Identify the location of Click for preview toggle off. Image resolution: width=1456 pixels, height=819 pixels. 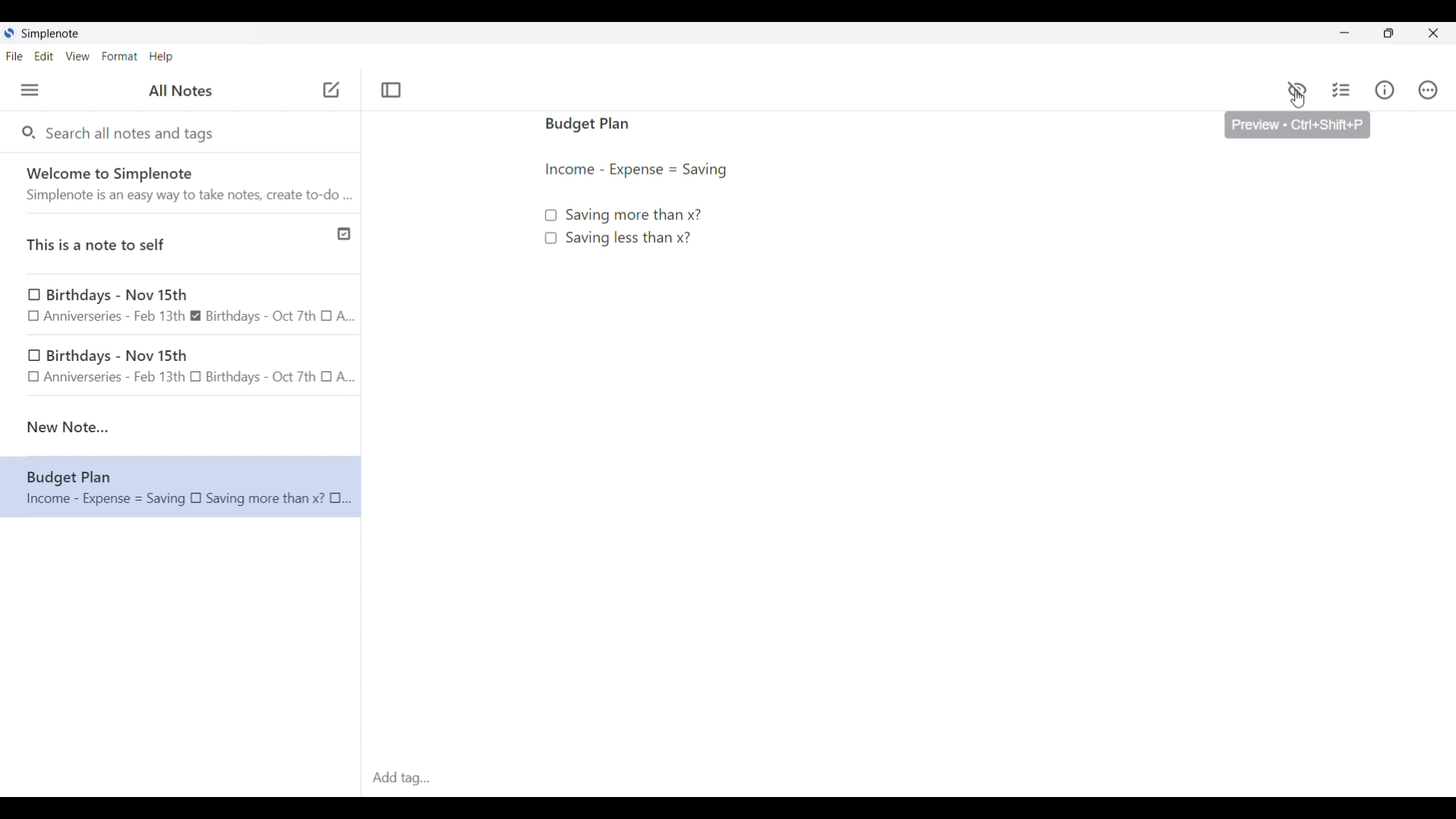
(1297, 90).